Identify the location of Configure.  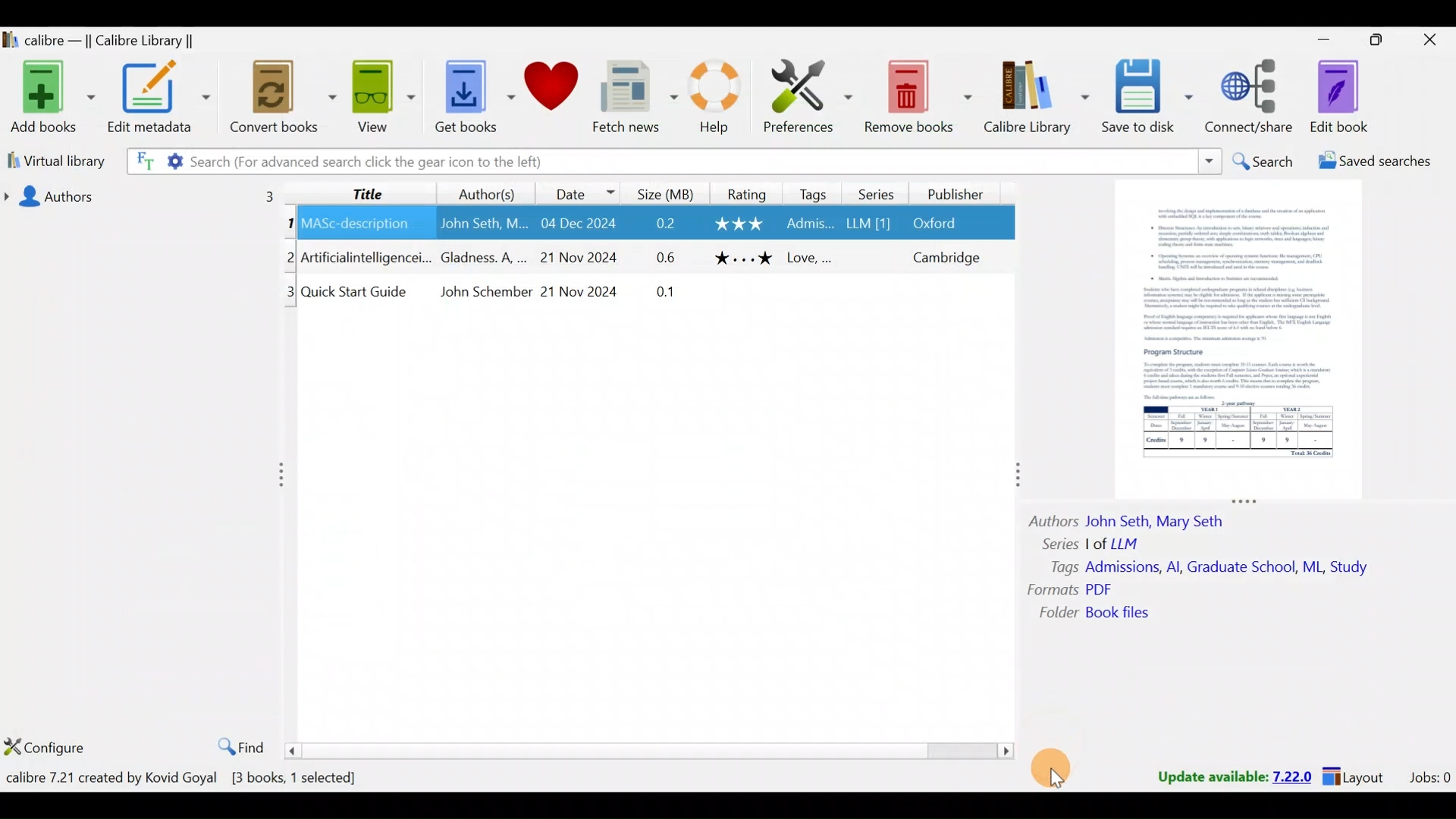
(54, 745).